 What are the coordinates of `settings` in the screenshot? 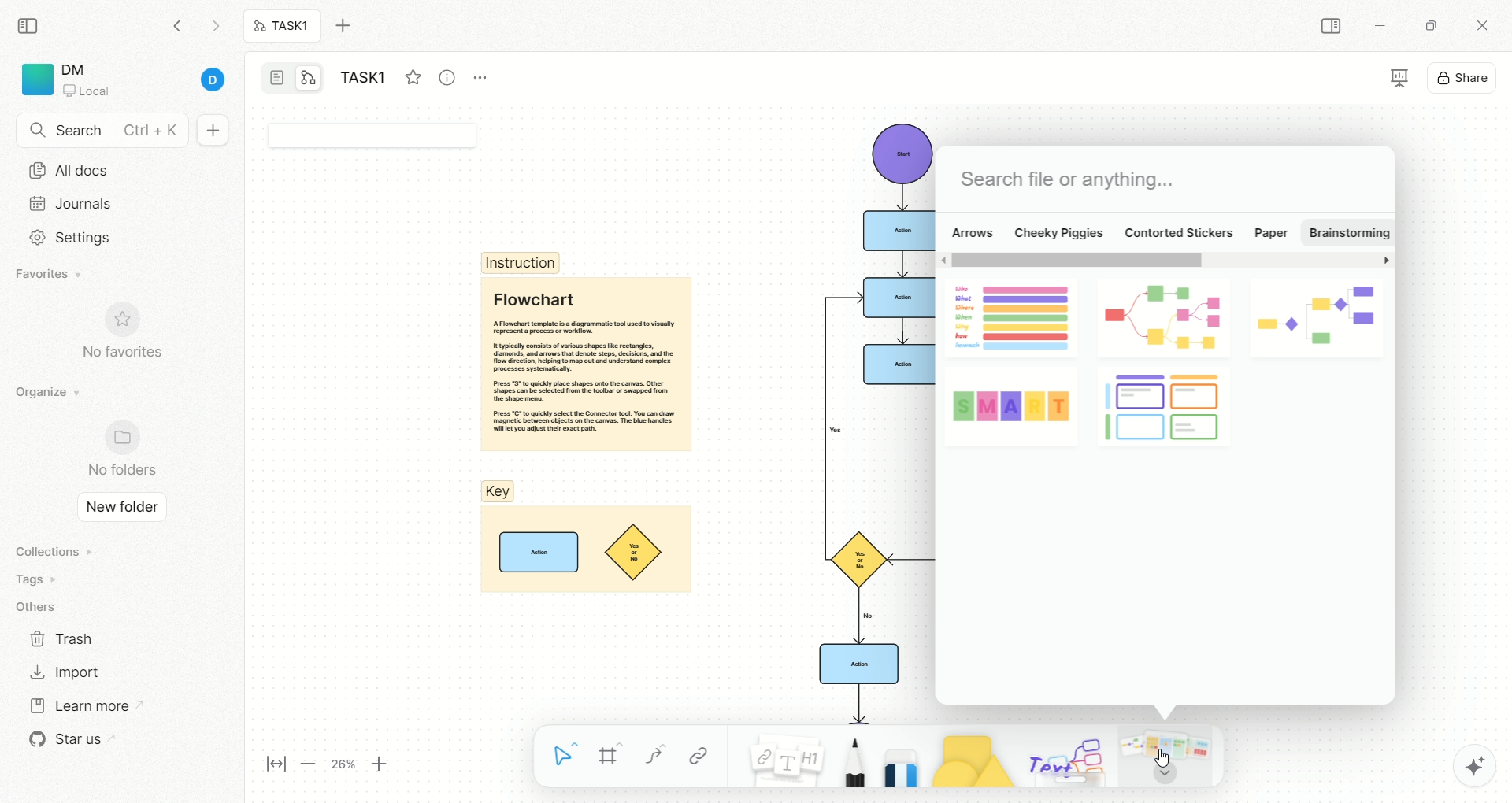 It's located at (65, 238).